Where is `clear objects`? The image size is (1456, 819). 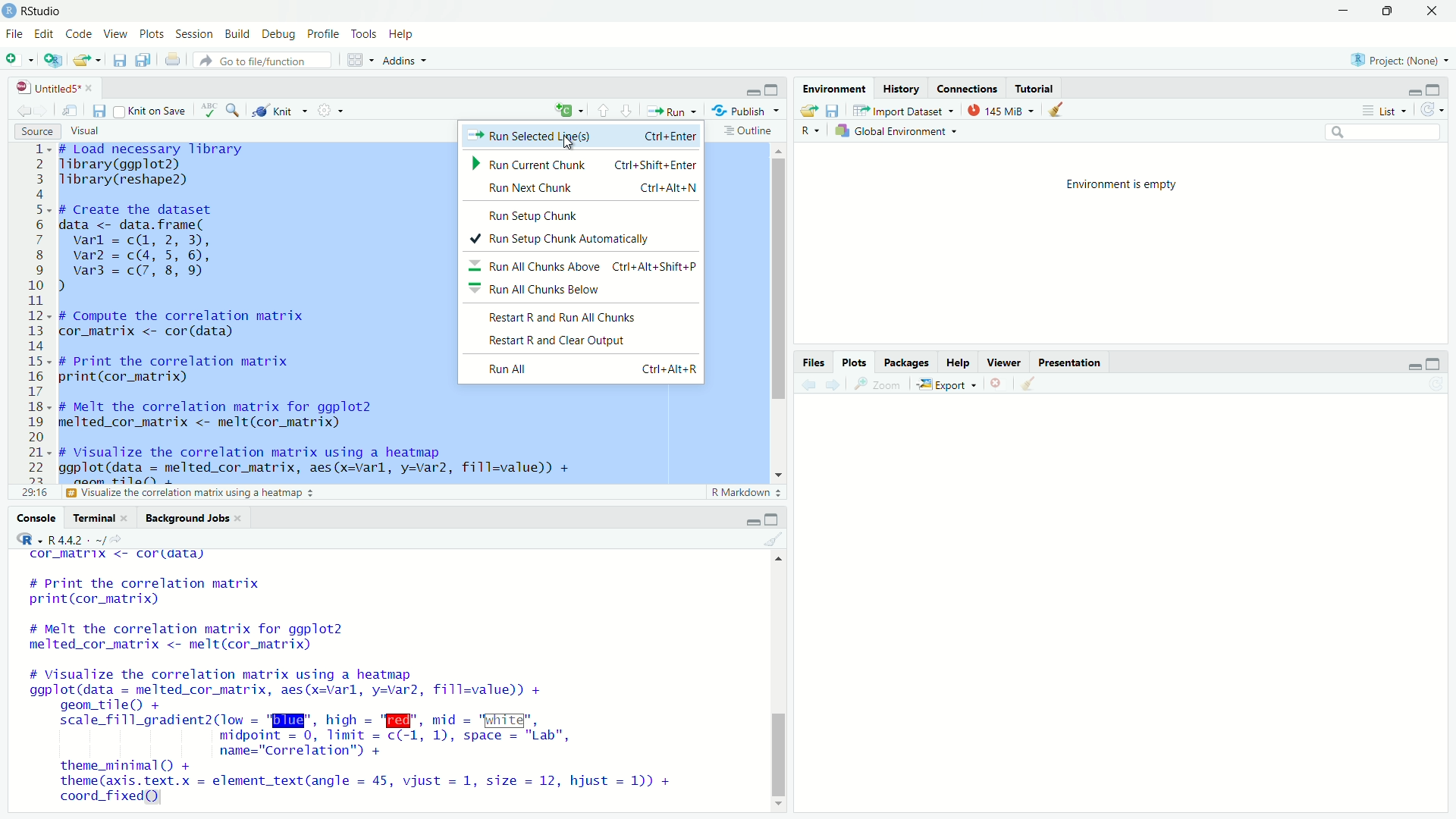 clear objects is located at coordinates (1057, 108).